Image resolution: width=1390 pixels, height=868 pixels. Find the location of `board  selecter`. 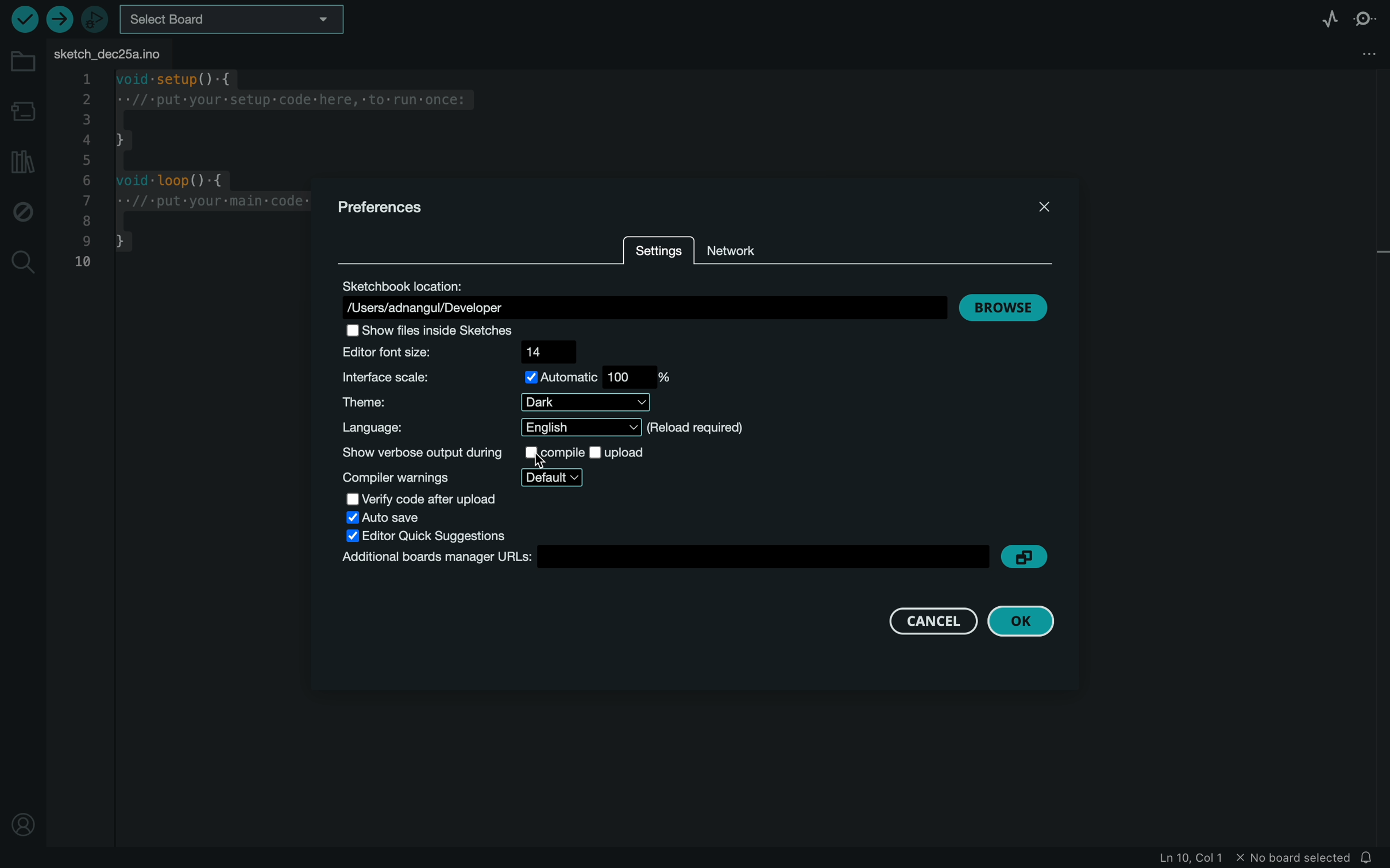

board  selecter is located at coordinates (243, 18).